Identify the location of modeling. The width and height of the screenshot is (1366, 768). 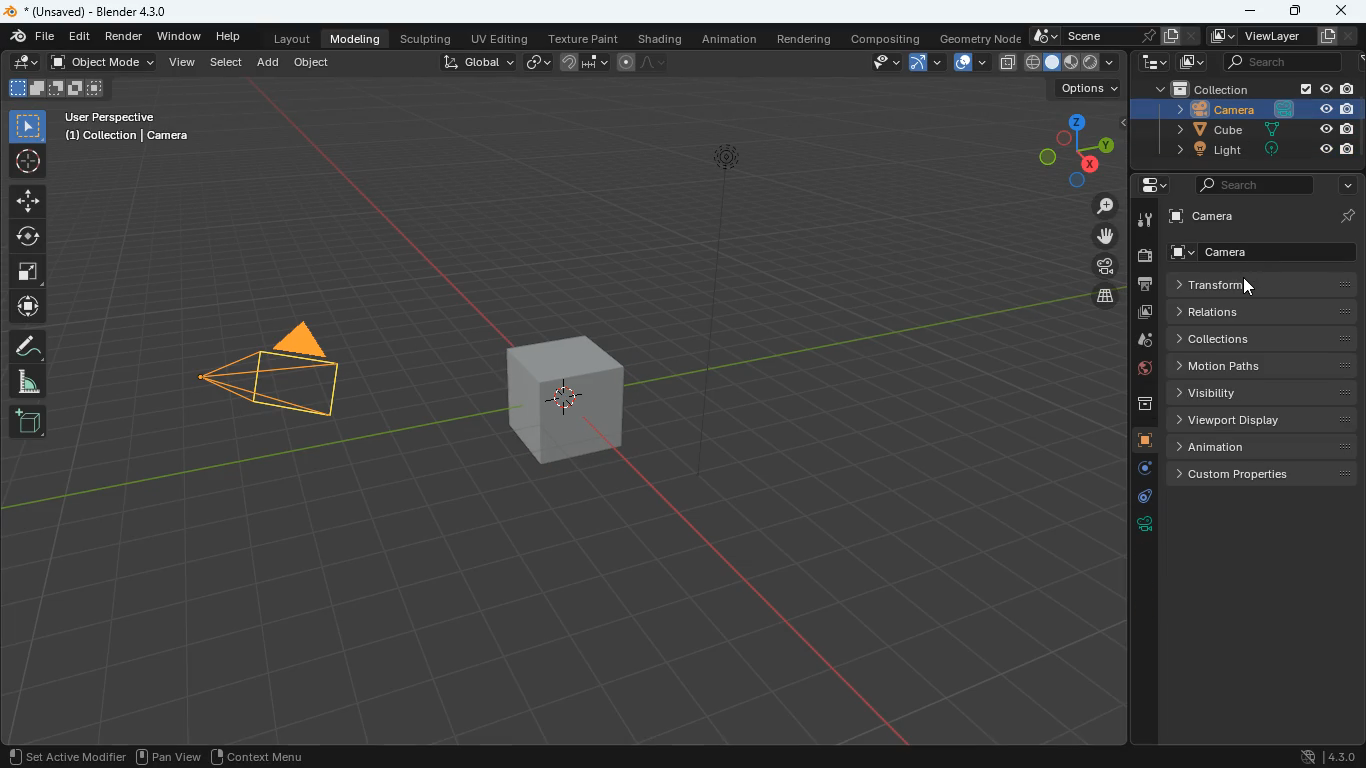
(355, 38).